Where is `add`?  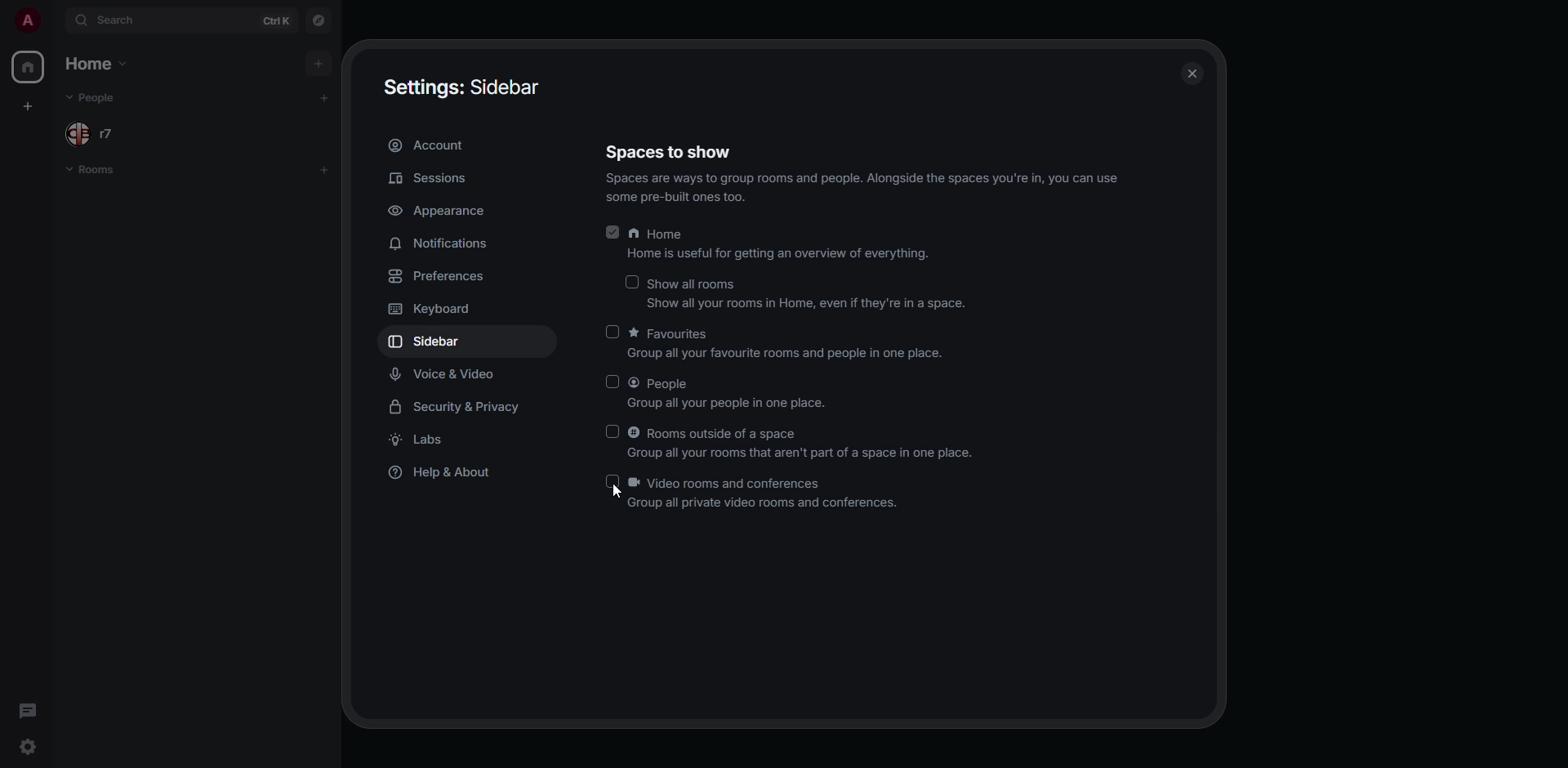 add is located at coordinates (320, 63).